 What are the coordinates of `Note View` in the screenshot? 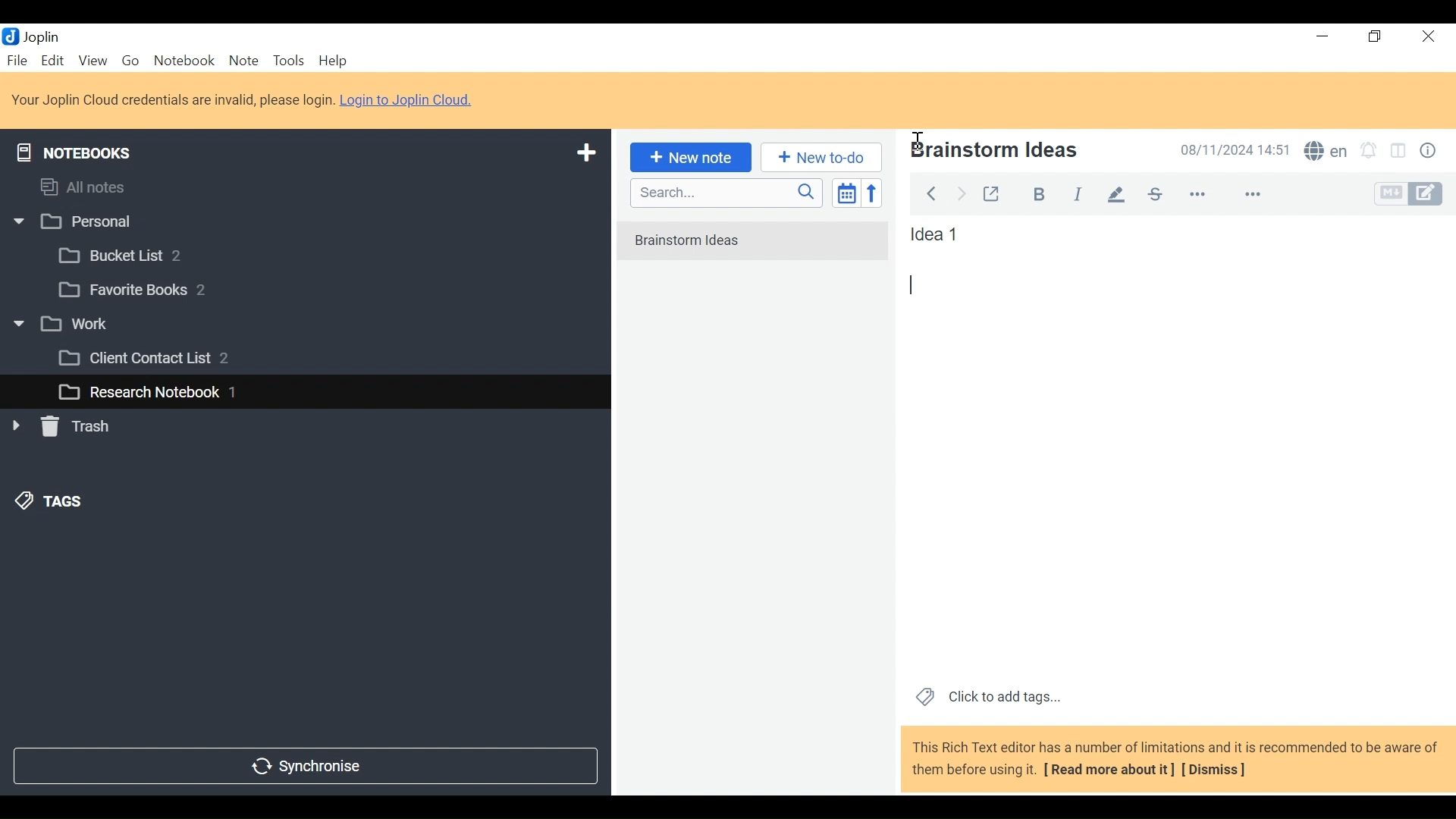 It's located at (918, 284).